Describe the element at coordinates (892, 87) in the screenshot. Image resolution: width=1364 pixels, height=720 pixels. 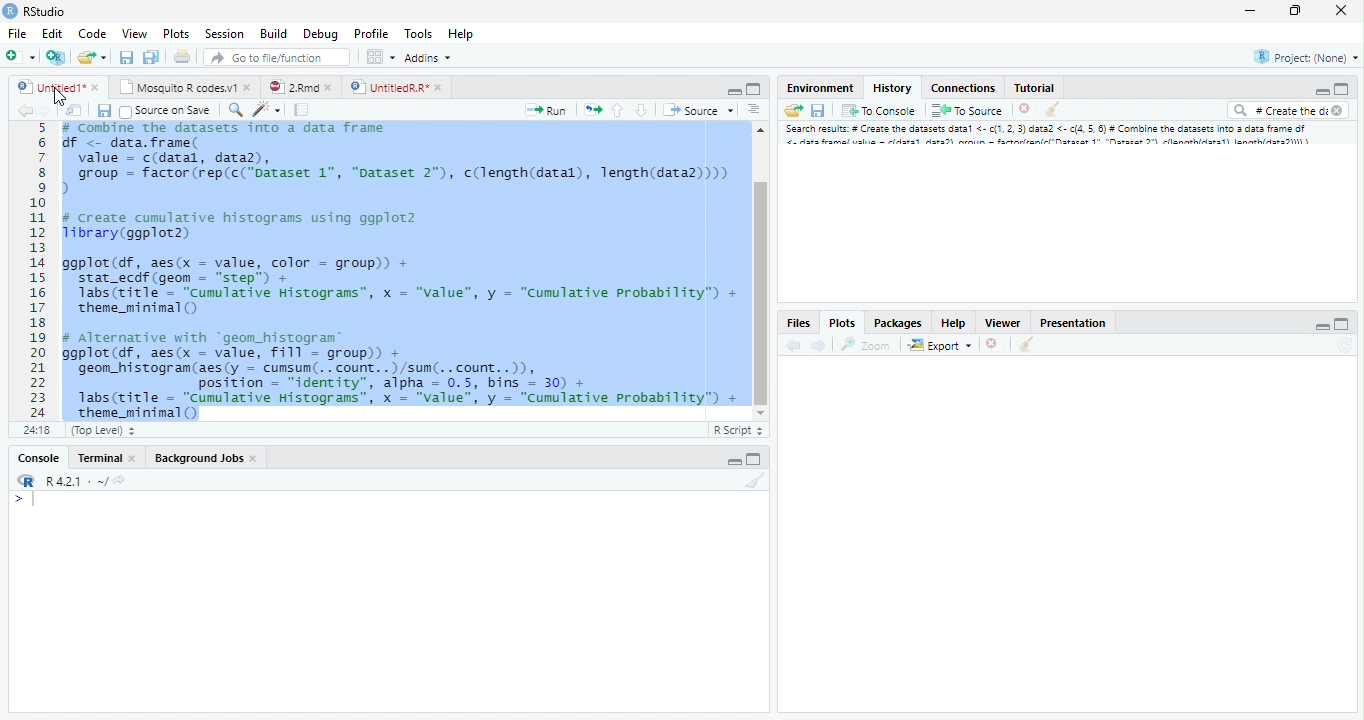
I see `History` at that location.